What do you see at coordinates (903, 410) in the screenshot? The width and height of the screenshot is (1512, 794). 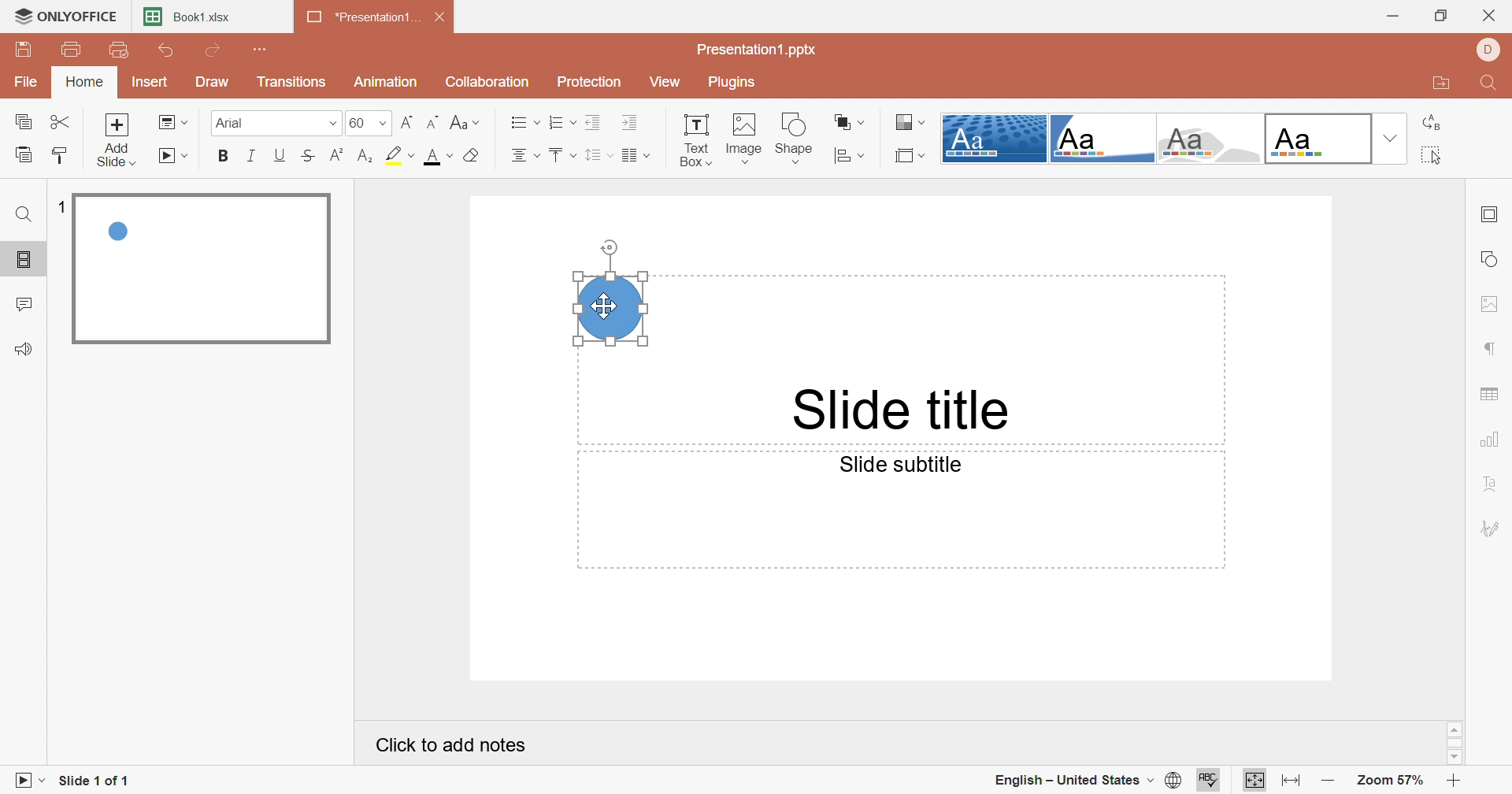 I see `Slide title` at bounding box center [903, 410].